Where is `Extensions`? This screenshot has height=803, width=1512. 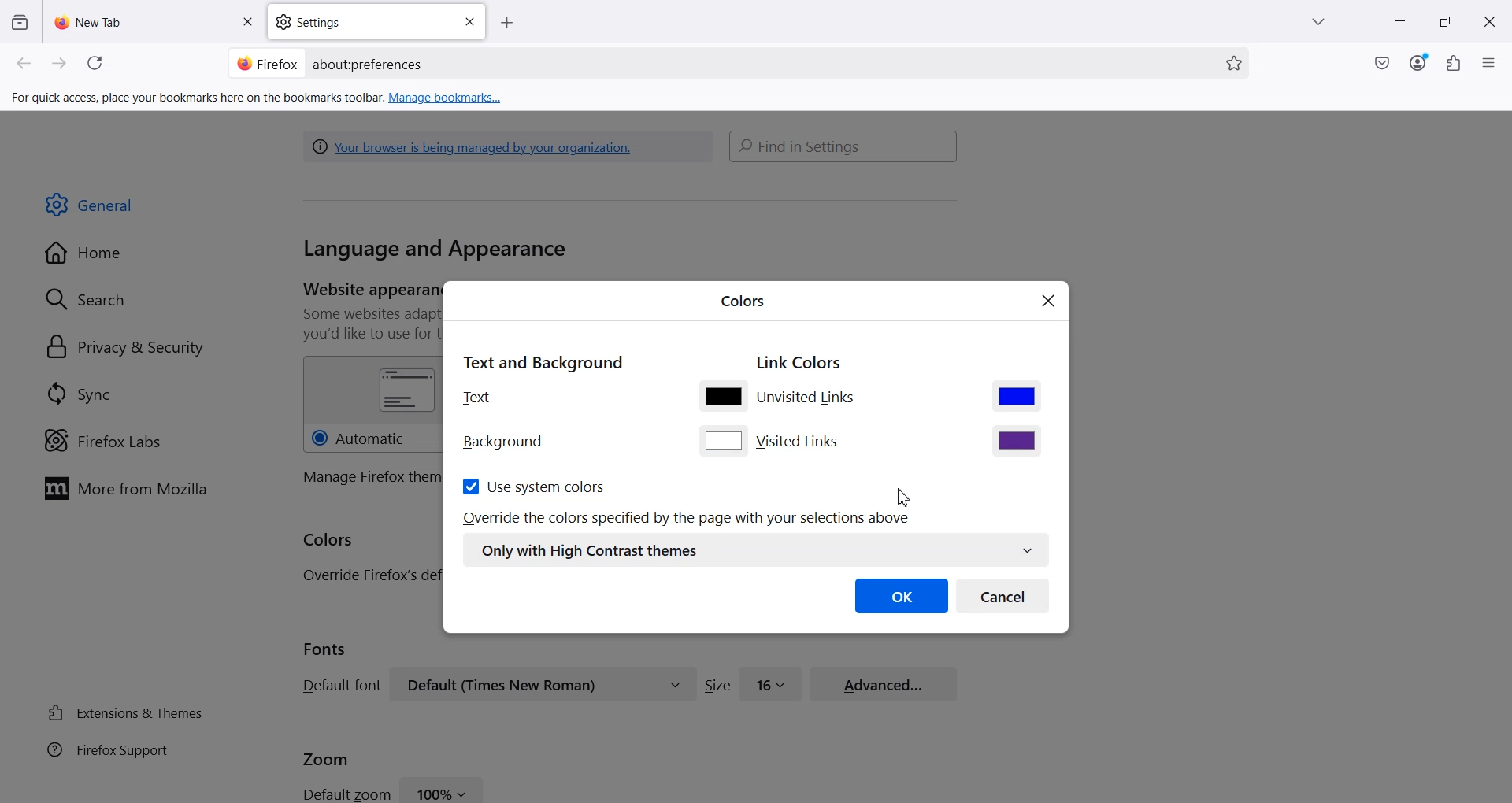 Extensions is located at coordinates (1455, 63).